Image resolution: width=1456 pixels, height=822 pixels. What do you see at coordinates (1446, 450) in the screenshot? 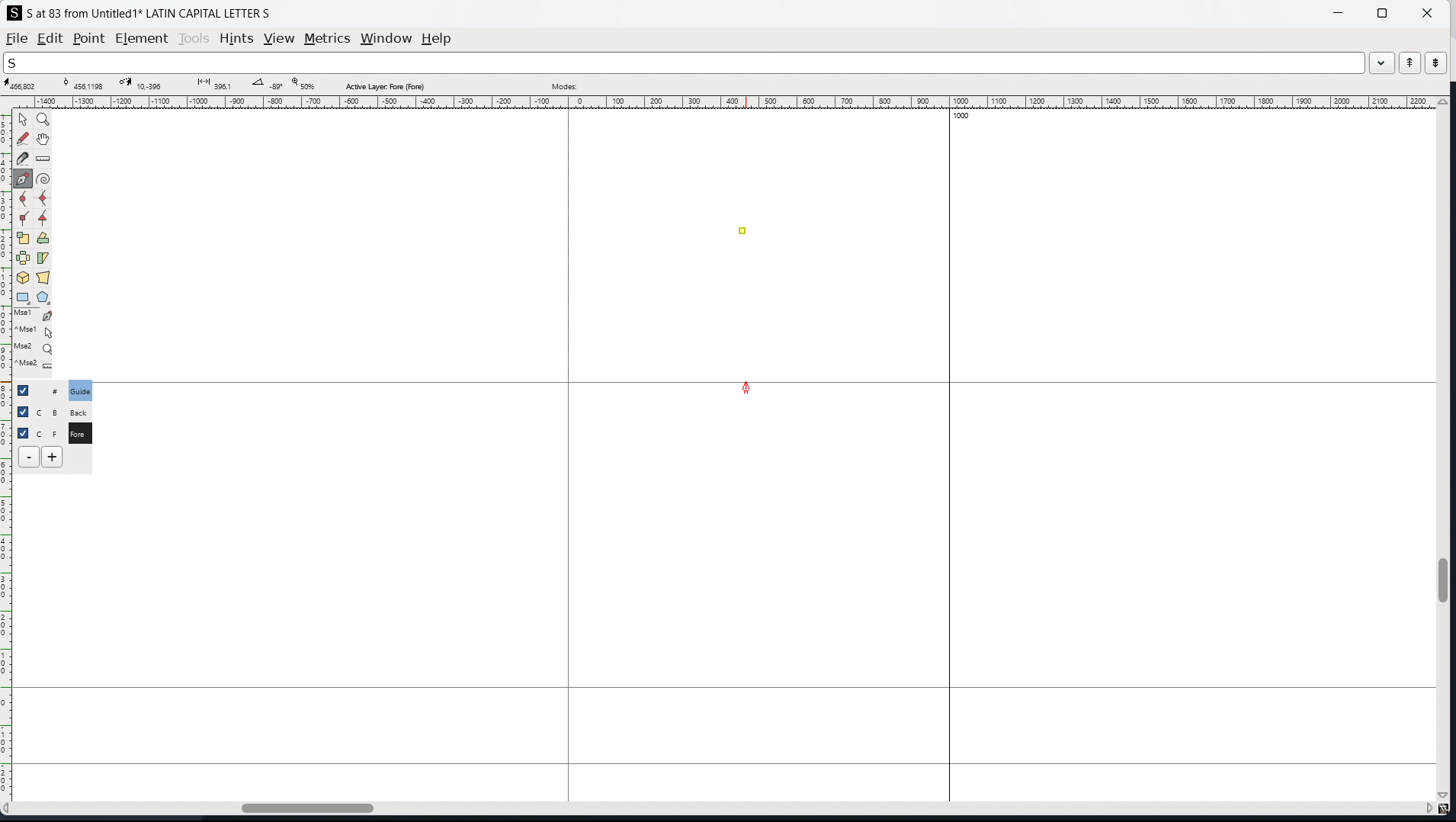
I see `vertical scrollbar` at bounding box center [1446, 450].